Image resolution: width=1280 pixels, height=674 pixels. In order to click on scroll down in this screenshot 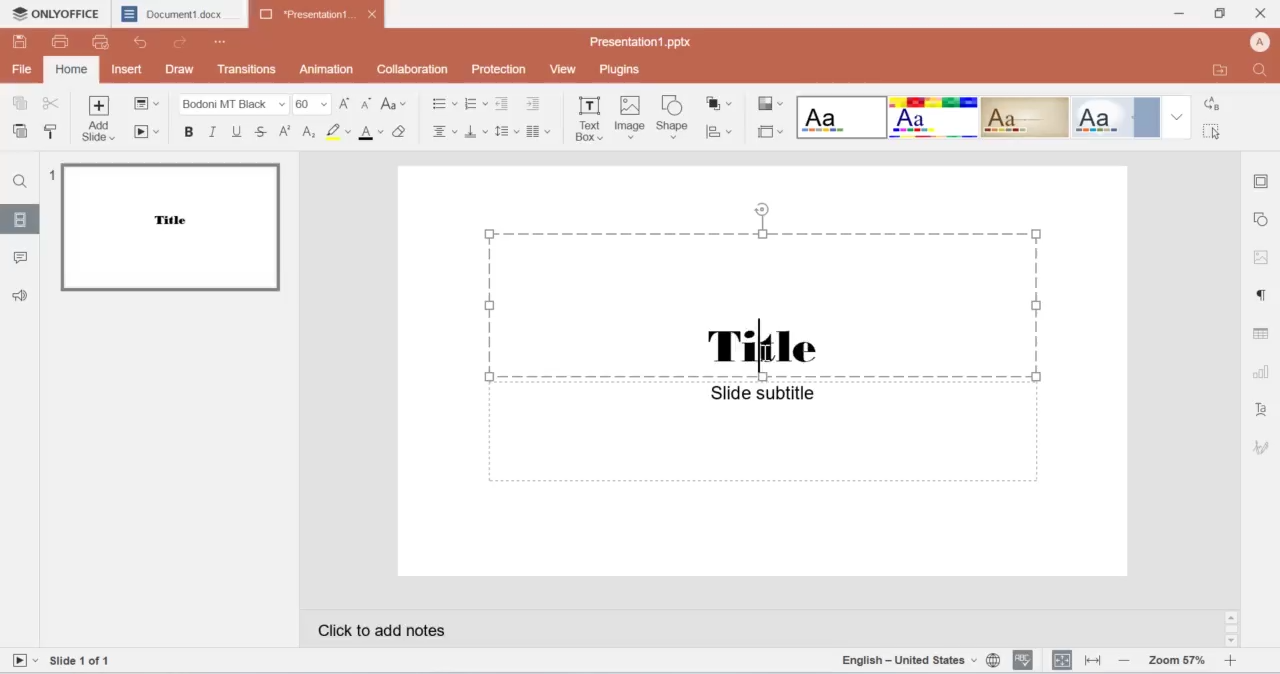, I will do `click(1230, 642)`.